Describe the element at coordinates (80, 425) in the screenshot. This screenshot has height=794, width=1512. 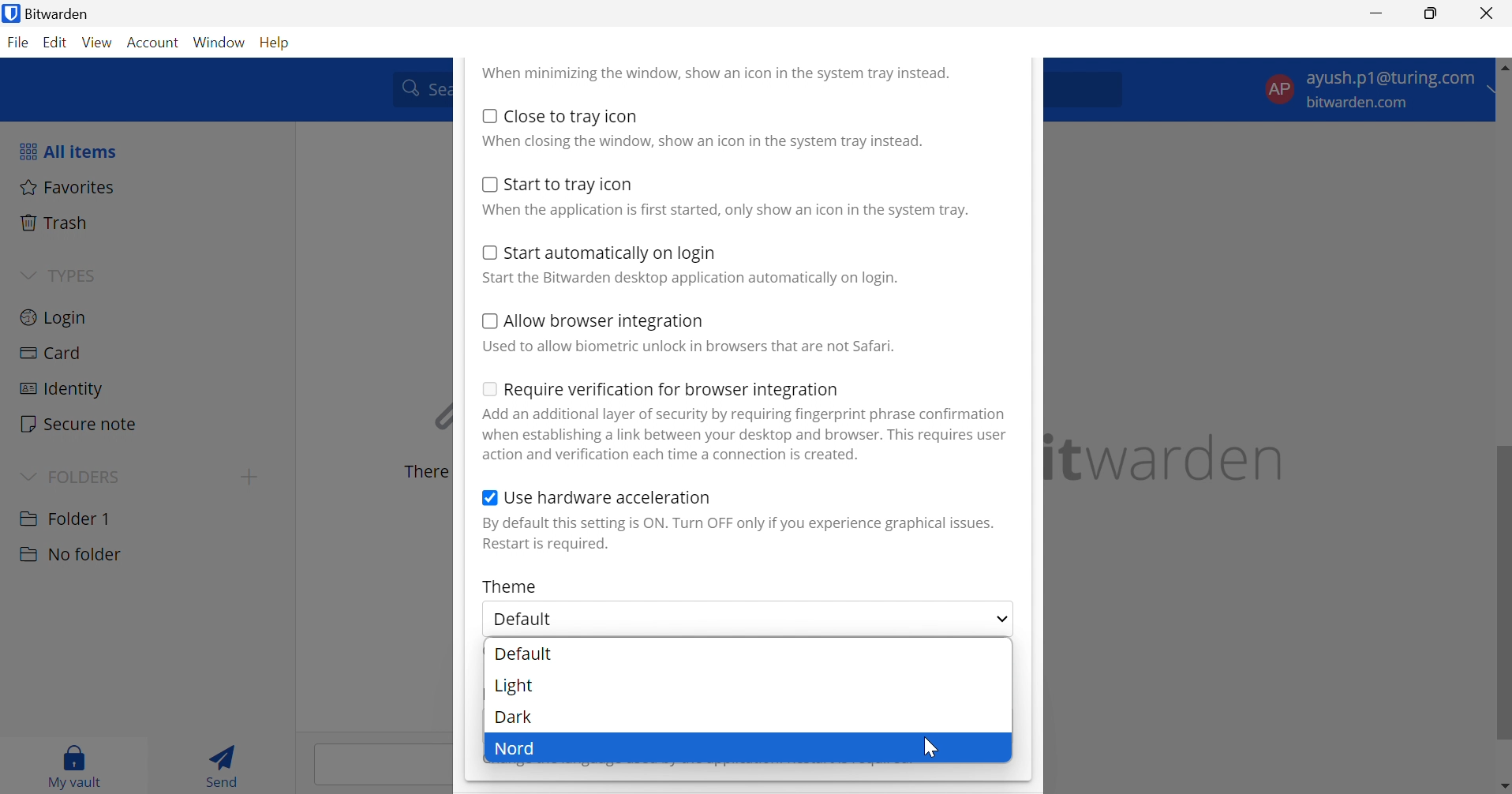
I see `Secure note` at that location.